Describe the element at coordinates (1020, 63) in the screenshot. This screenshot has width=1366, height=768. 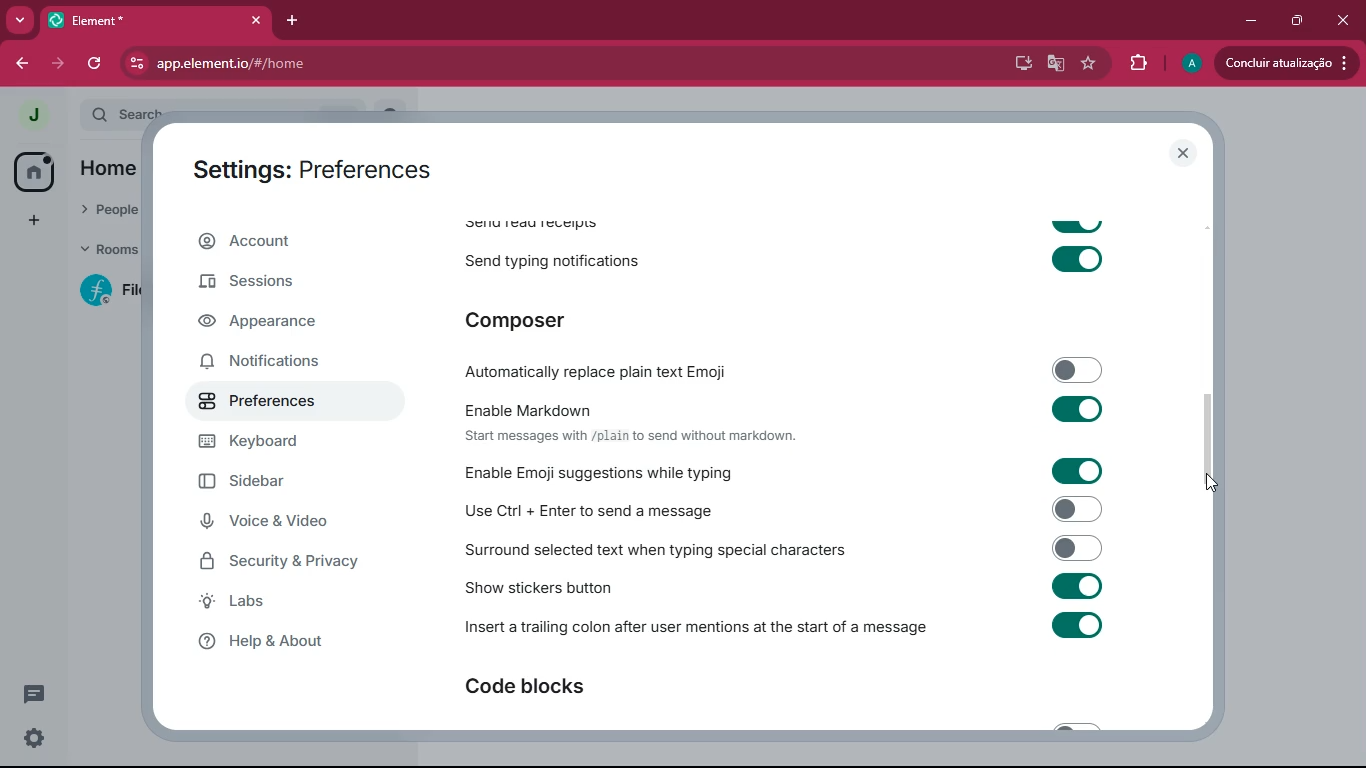
I see `desktop` at that location.